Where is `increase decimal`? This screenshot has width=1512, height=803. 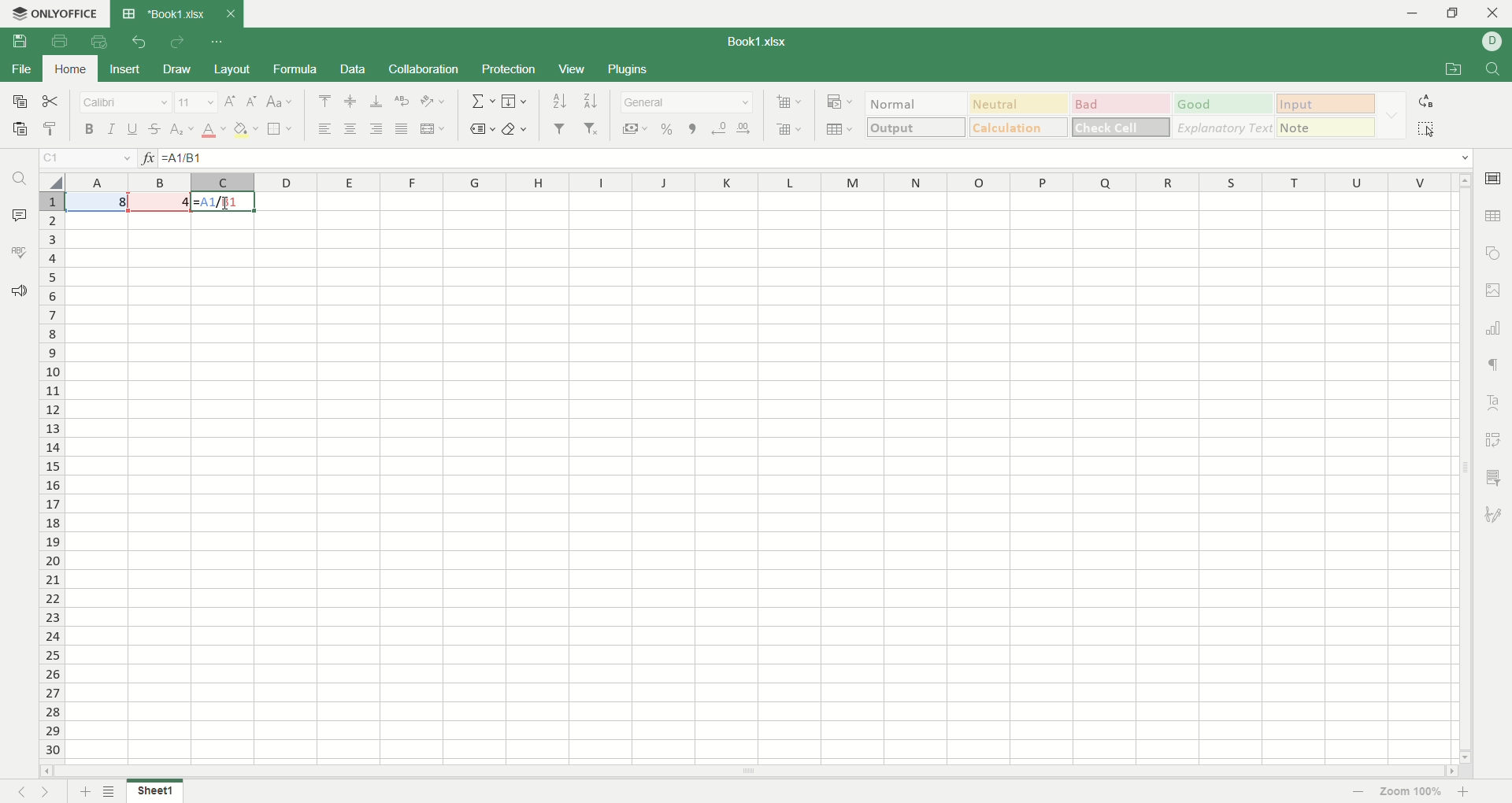
increase decimal is located at coordinates (746, 128).